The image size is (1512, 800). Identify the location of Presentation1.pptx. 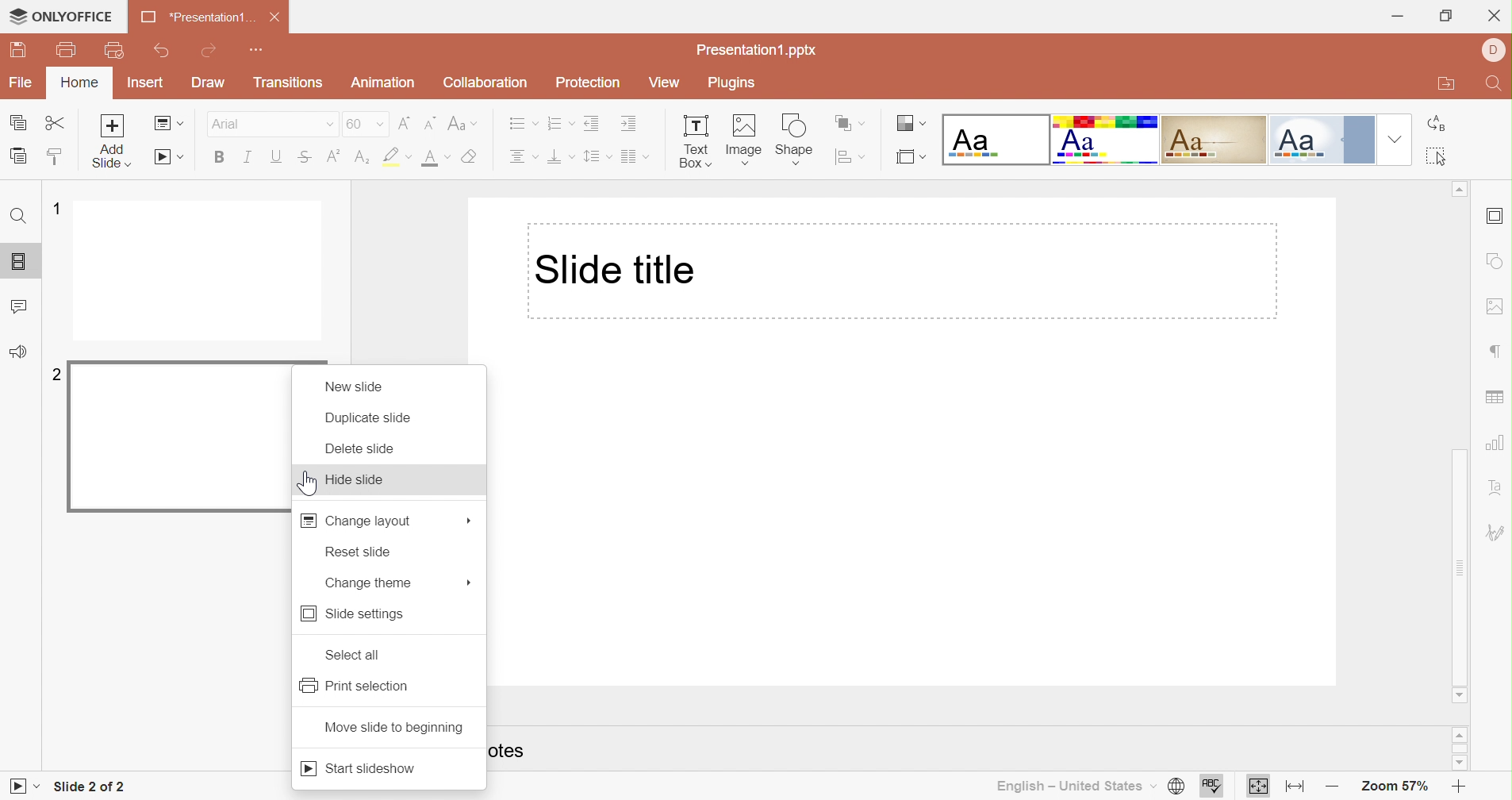
(760, 49).